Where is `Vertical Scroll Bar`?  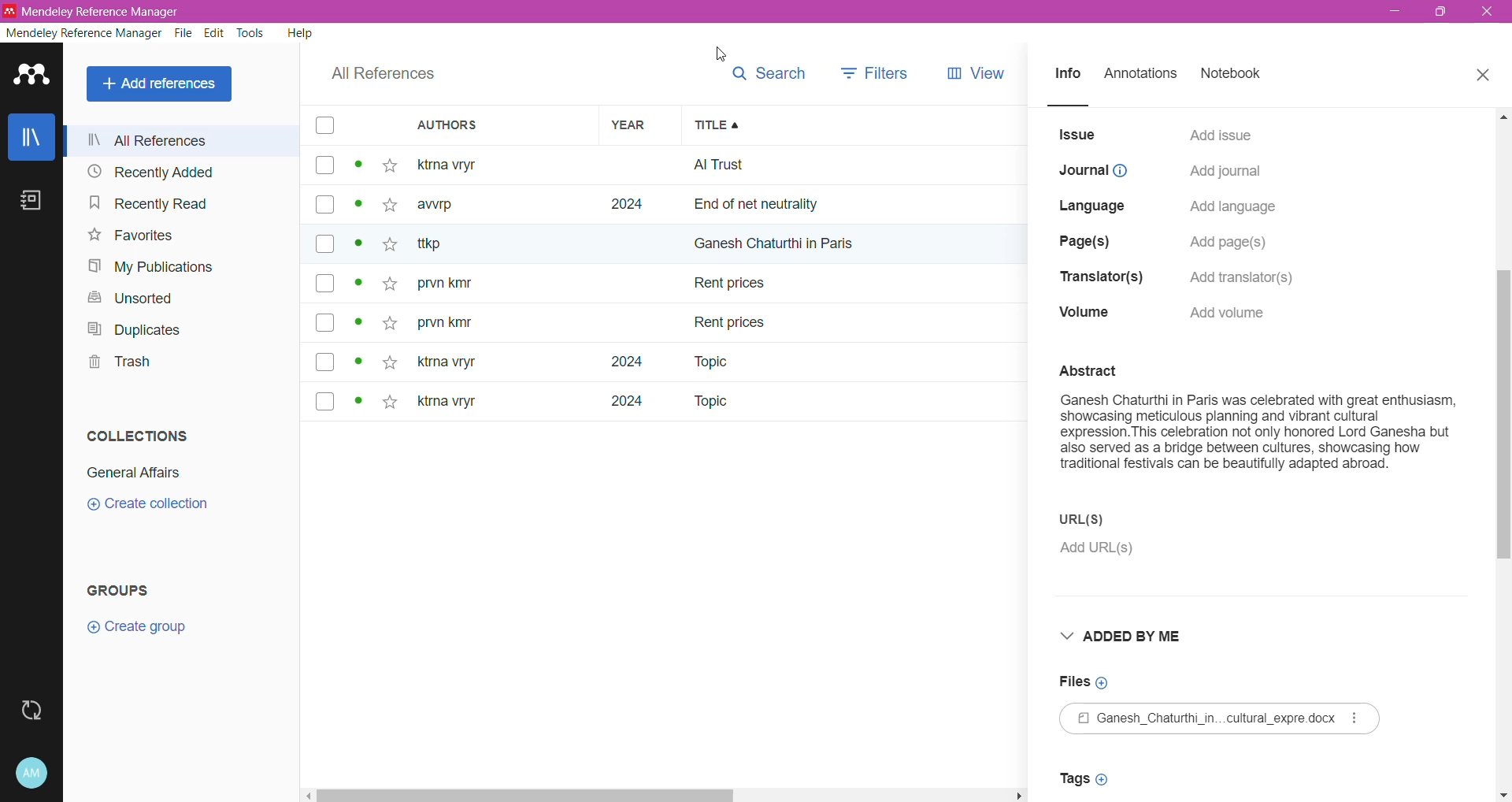 Vertical Scroll Bar is located at coordinates (1503, 455).